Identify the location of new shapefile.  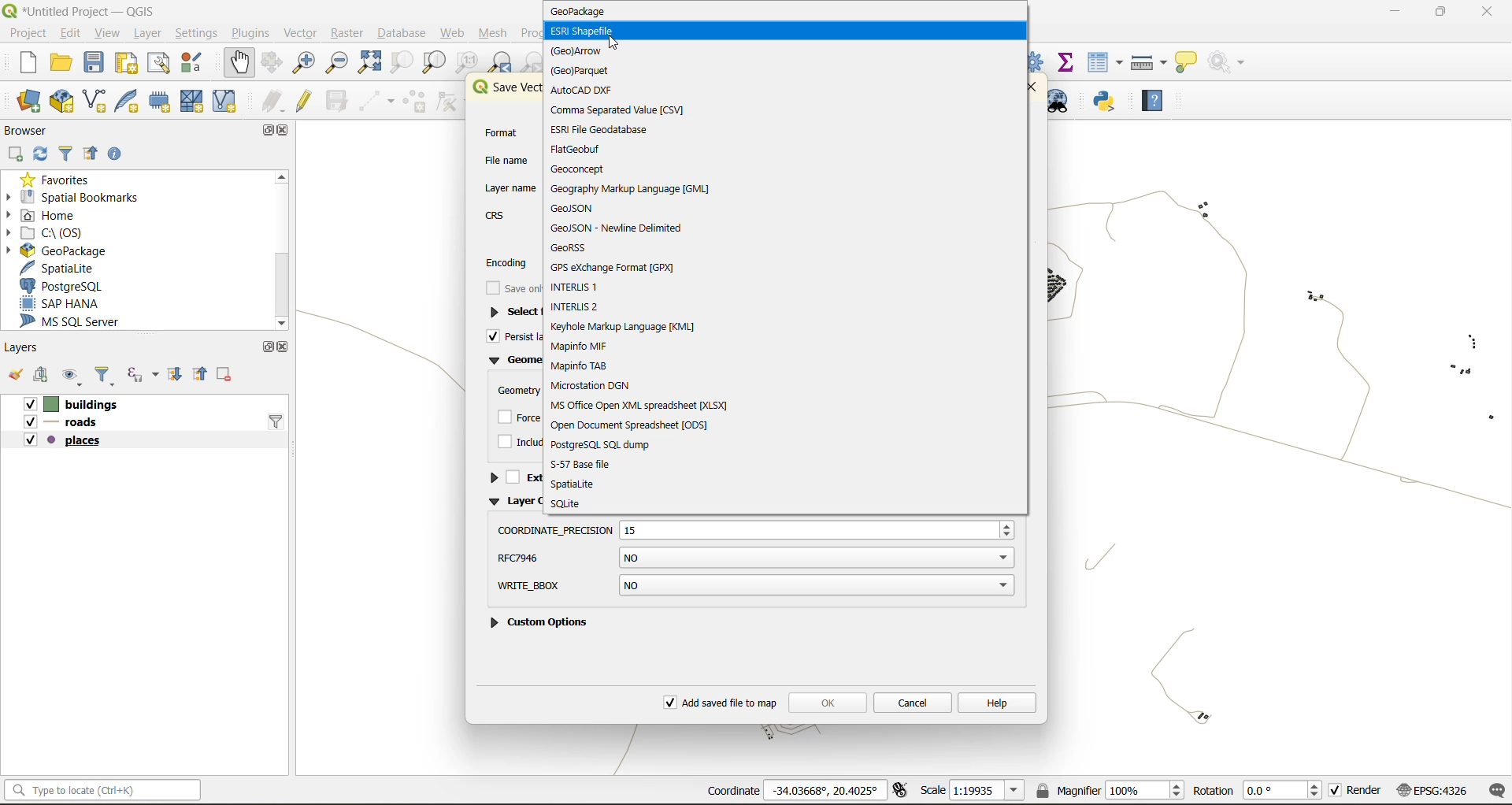
(95, 99).